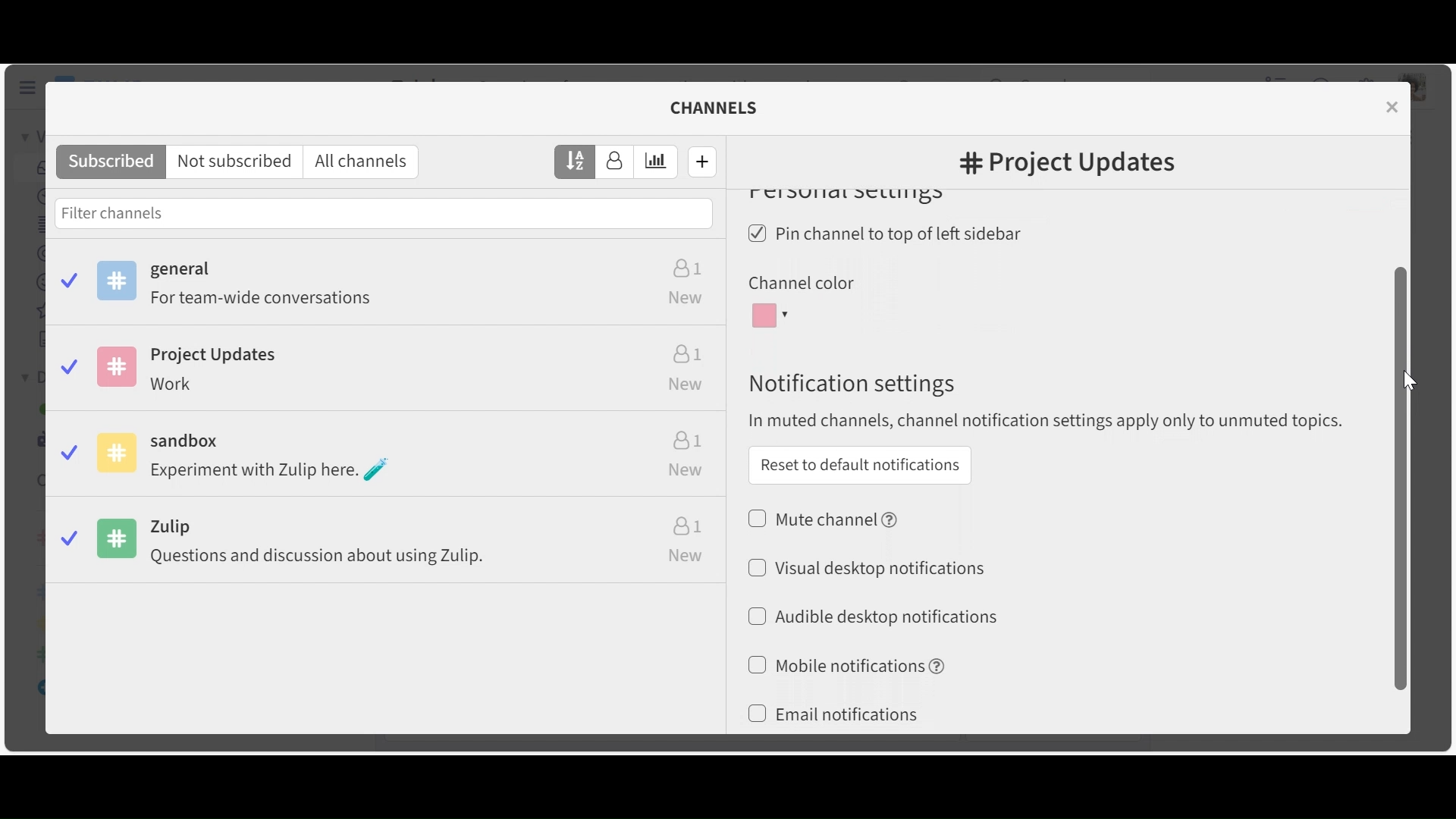  Describe the element at coordinates (890, 235) in the screenshot. I see `(un)select Pin channel to top left sidebar` at that location.